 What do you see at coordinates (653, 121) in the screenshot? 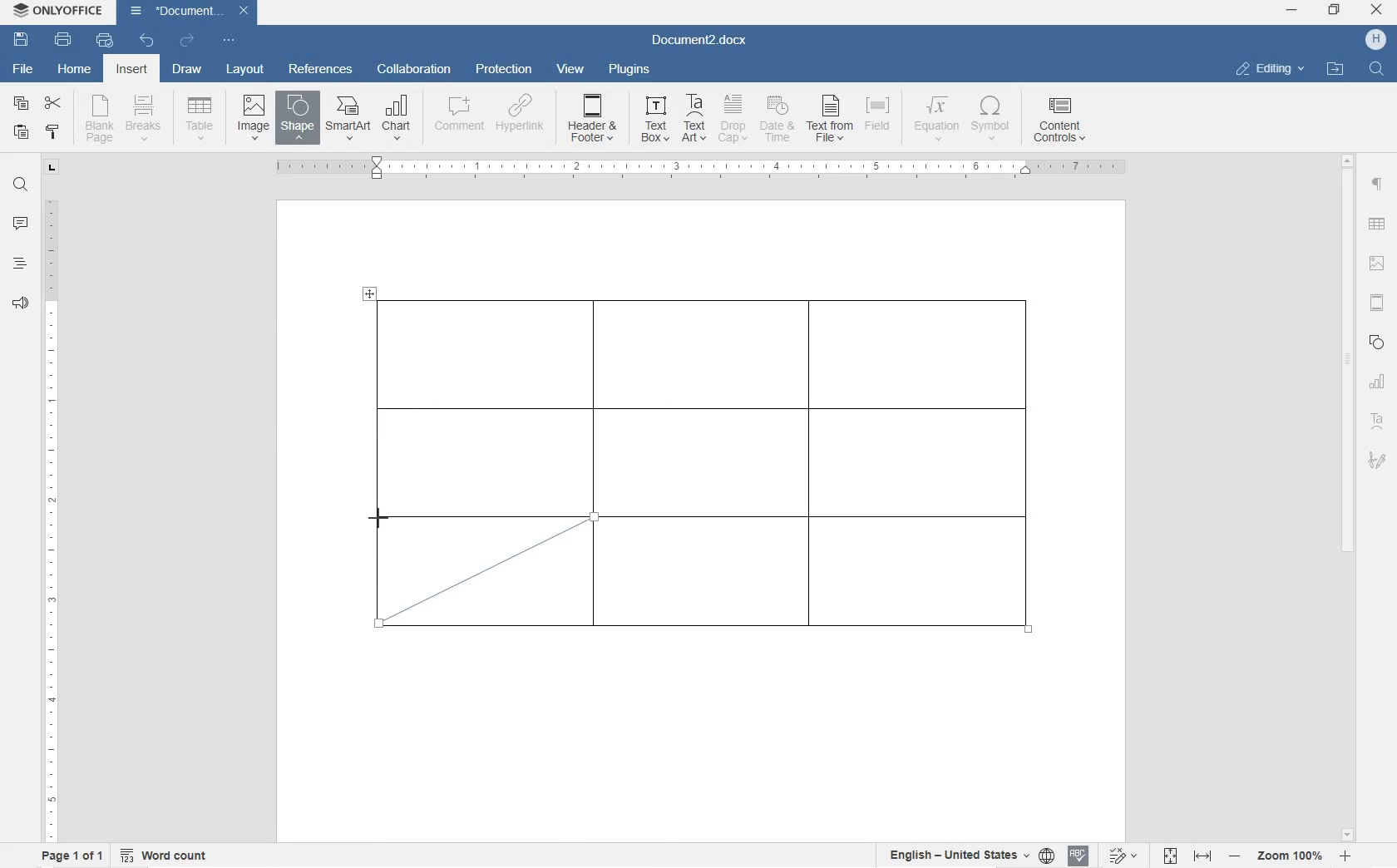
I see `TEXT BOX` at bounding box center [653, 121].